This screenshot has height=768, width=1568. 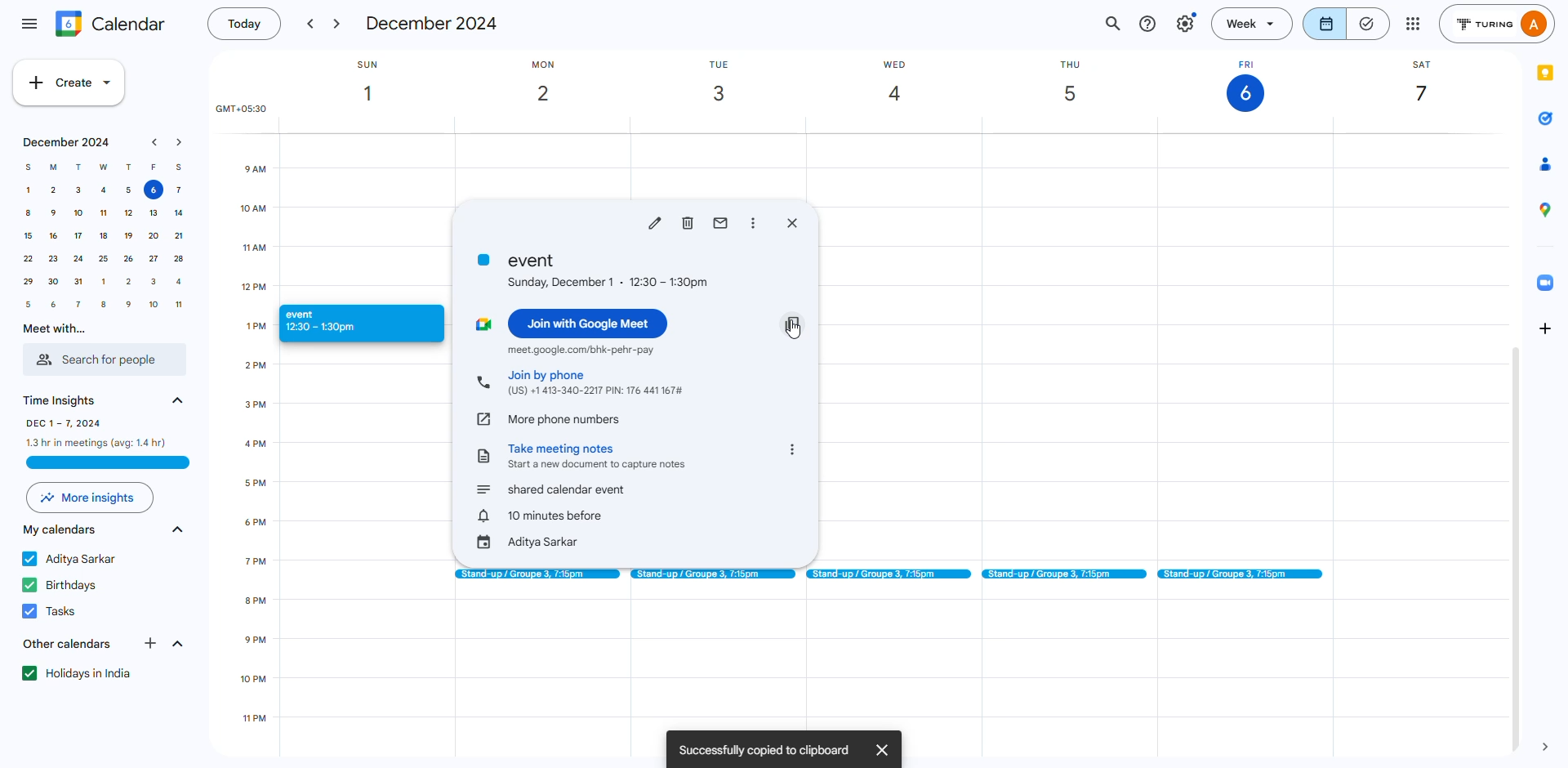 What do you see at coordinates (721, 222) in the screenshot?
I see `mail` at bounding box center [721, 222].